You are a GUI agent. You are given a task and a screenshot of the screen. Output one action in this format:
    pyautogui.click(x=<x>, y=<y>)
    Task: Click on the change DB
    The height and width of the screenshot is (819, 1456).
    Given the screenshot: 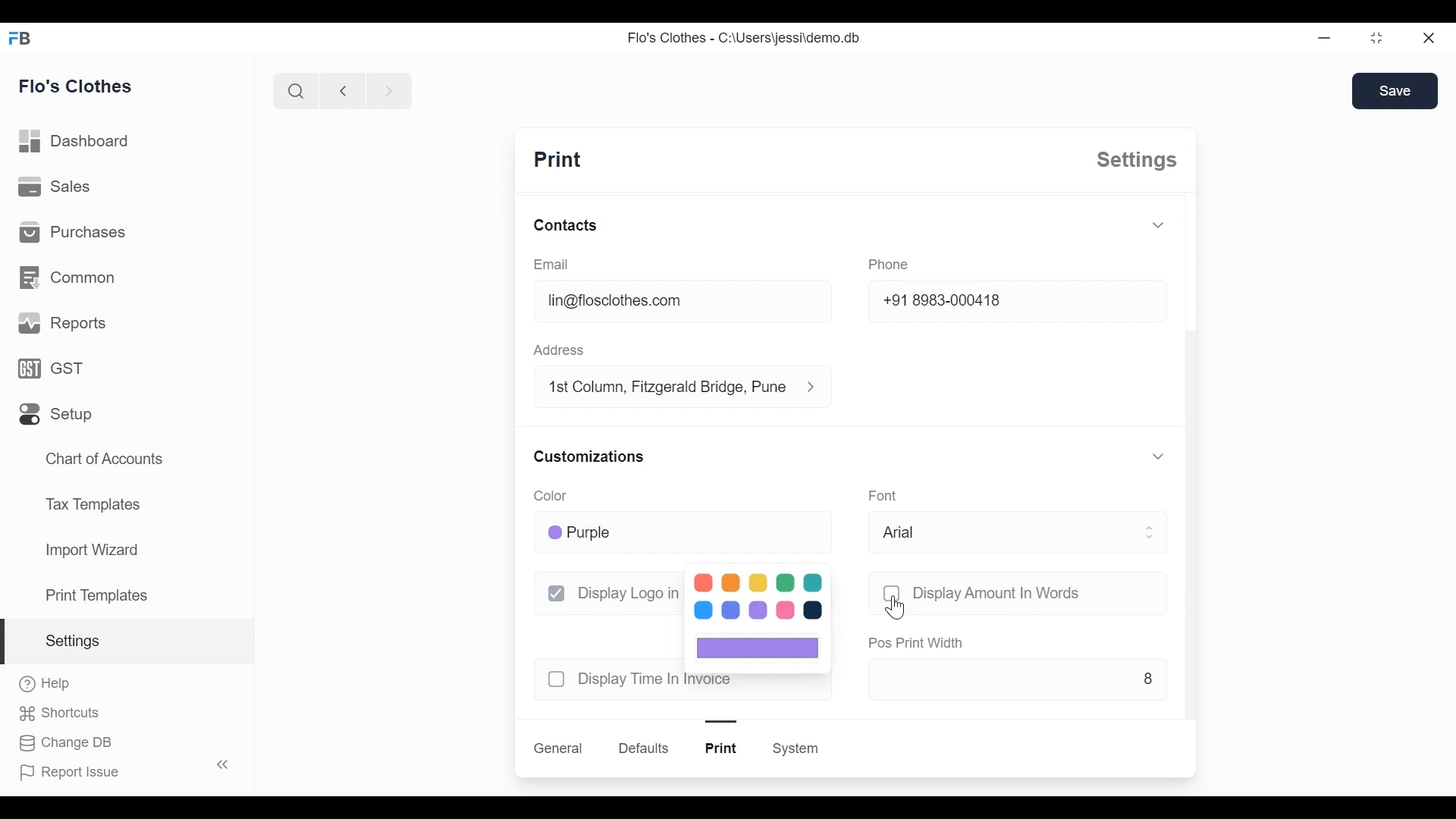 What is the action you would take?
    pyautogui.click(x=64, y=743)
    